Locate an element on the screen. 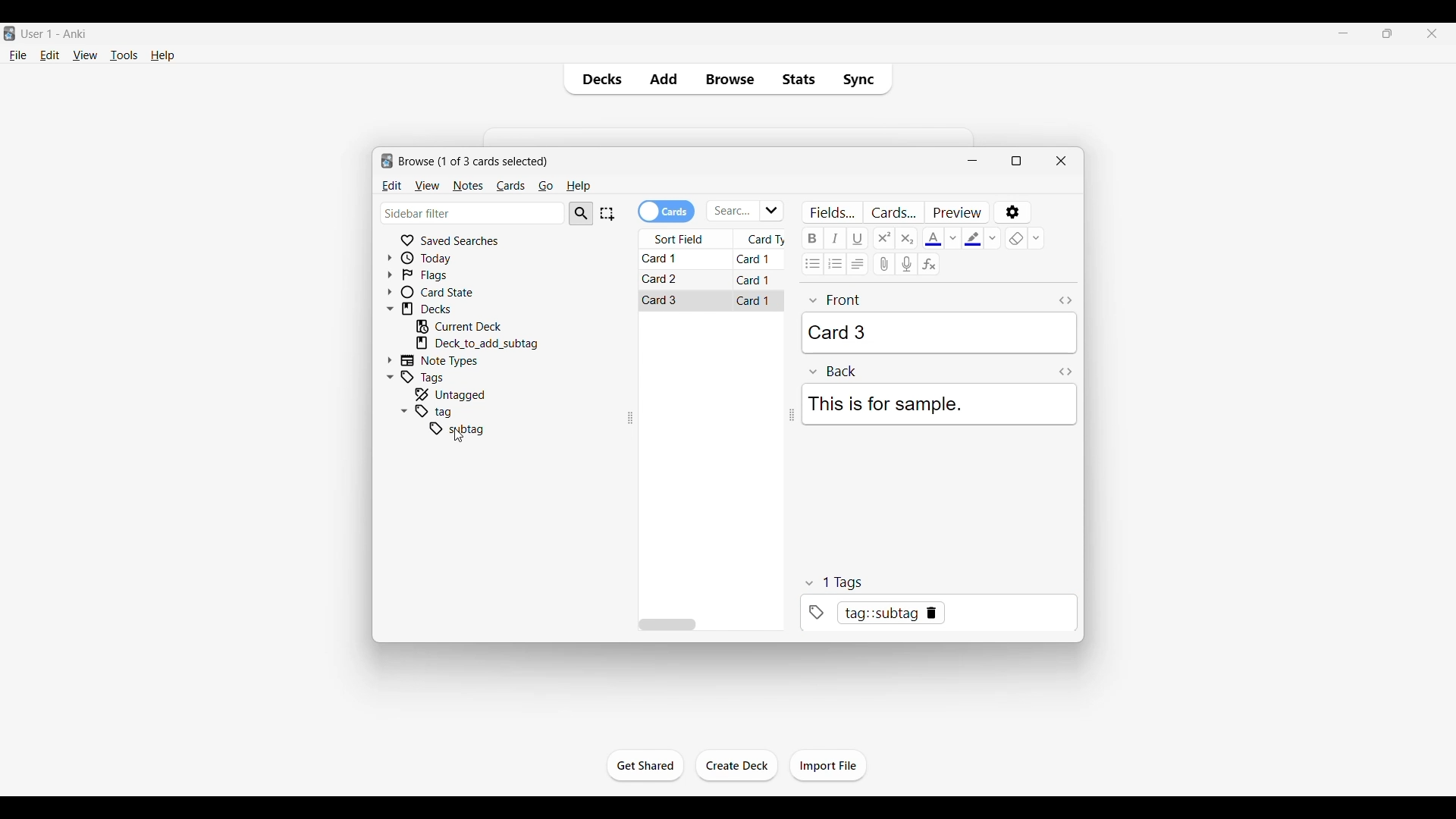  Tools menu is located at coordinates (124, 55).